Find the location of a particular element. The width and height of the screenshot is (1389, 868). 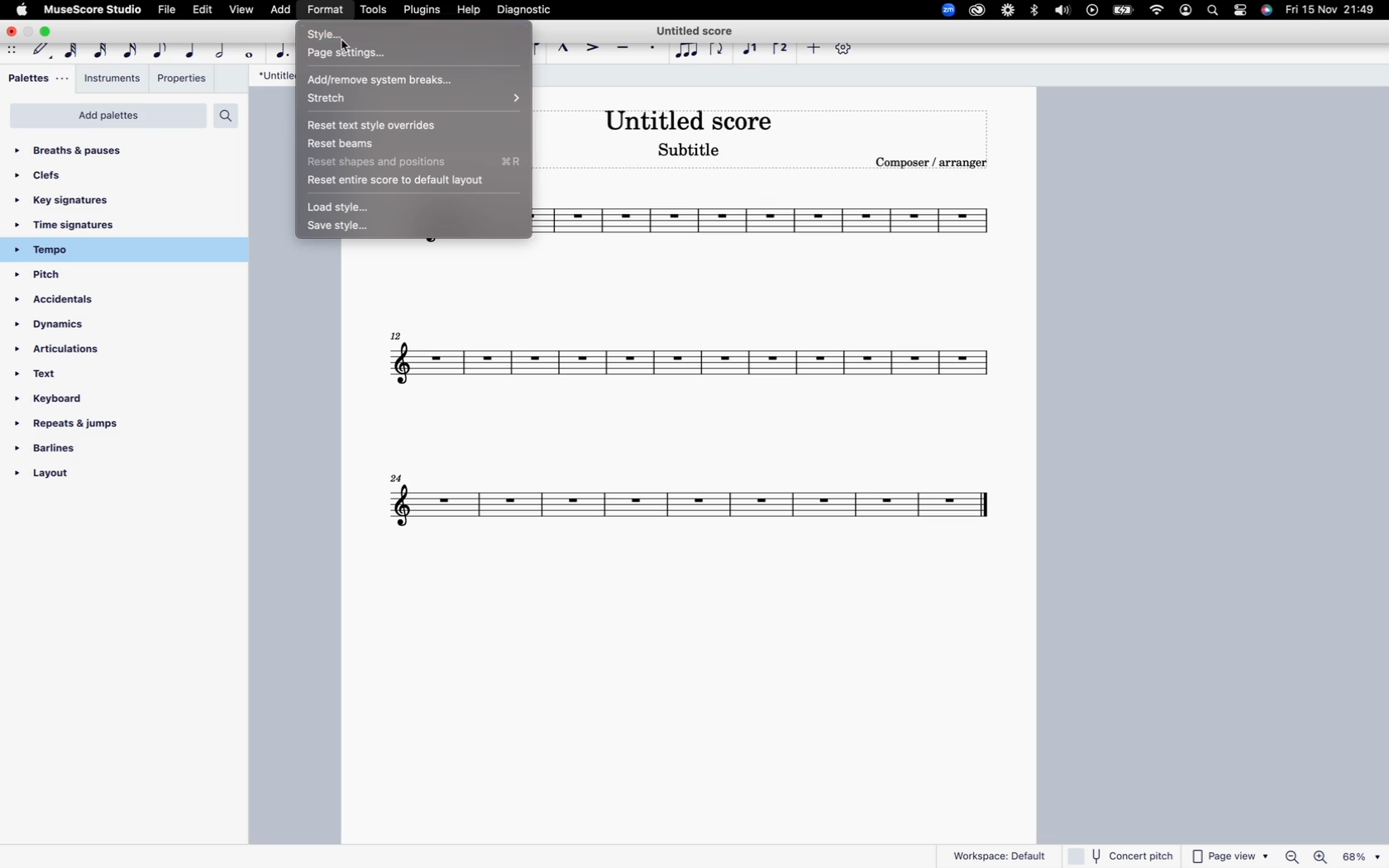

plugins is located at coordinates (426, 8).